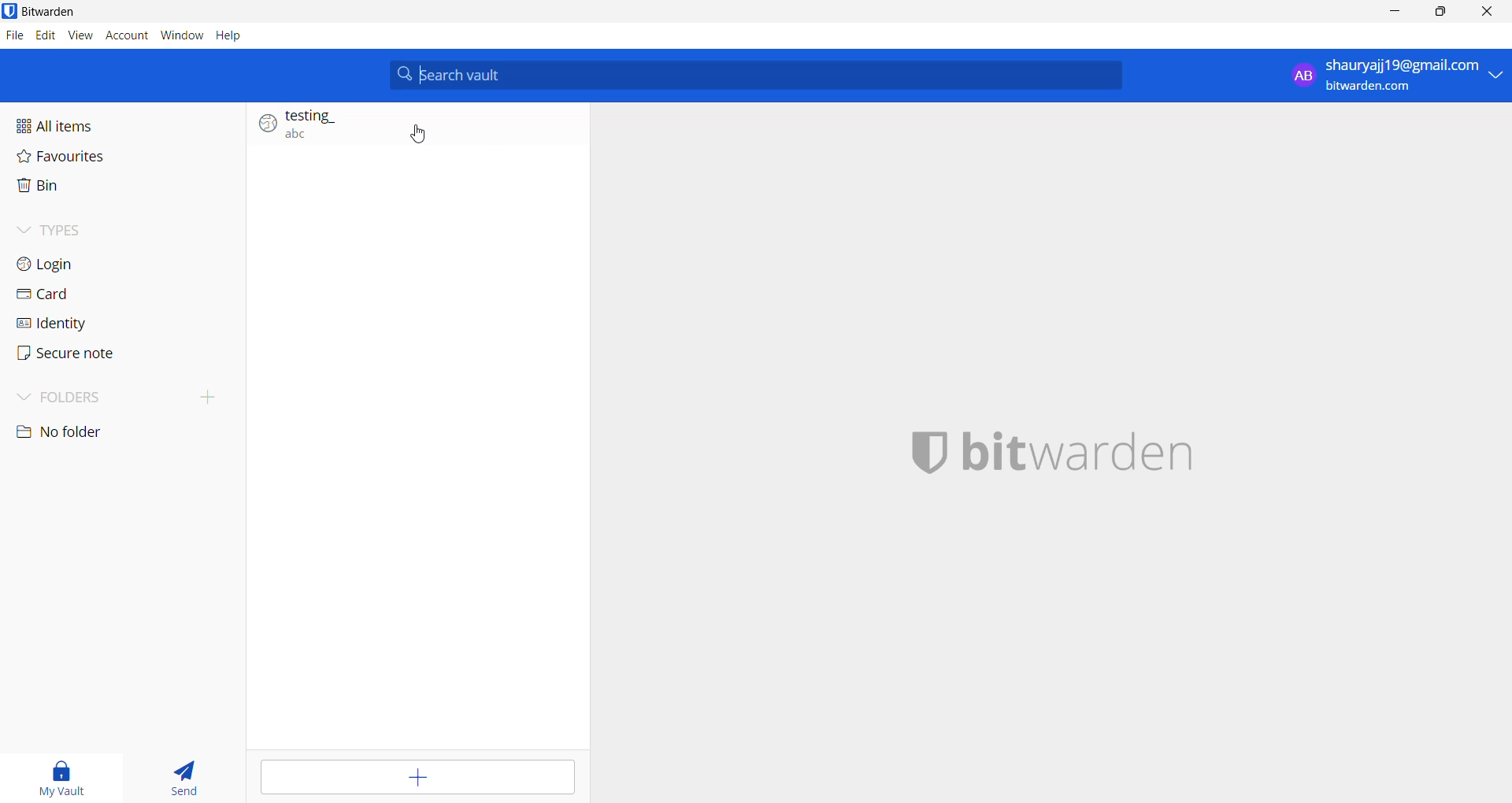 The height and width of the screenshot is (803, 1512). I want to click on Account, so click(125, 34).